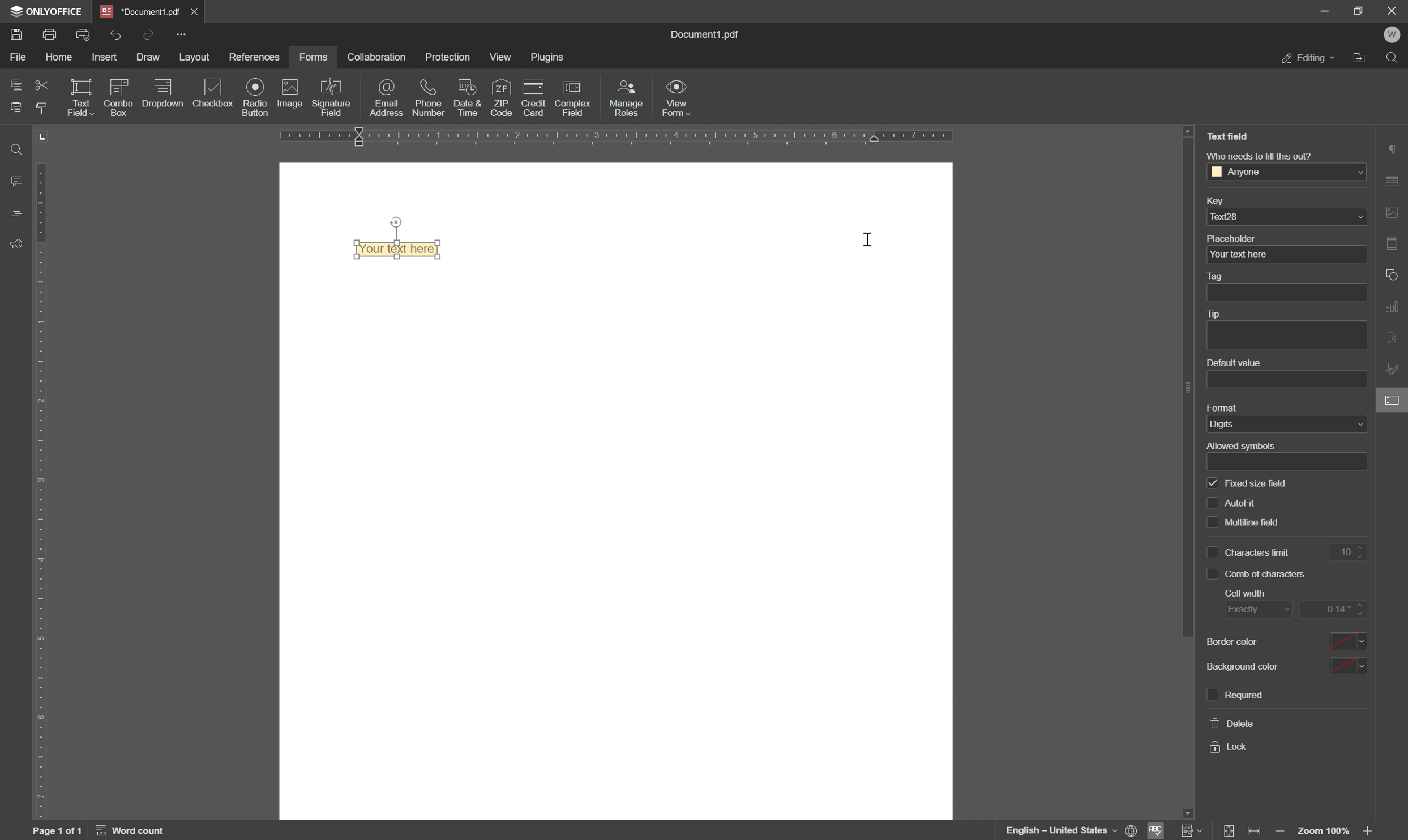  What do you see at coordinates (1188, 131) in the screenshot?
I see `scroll up` at bounding box center [1188, 131].